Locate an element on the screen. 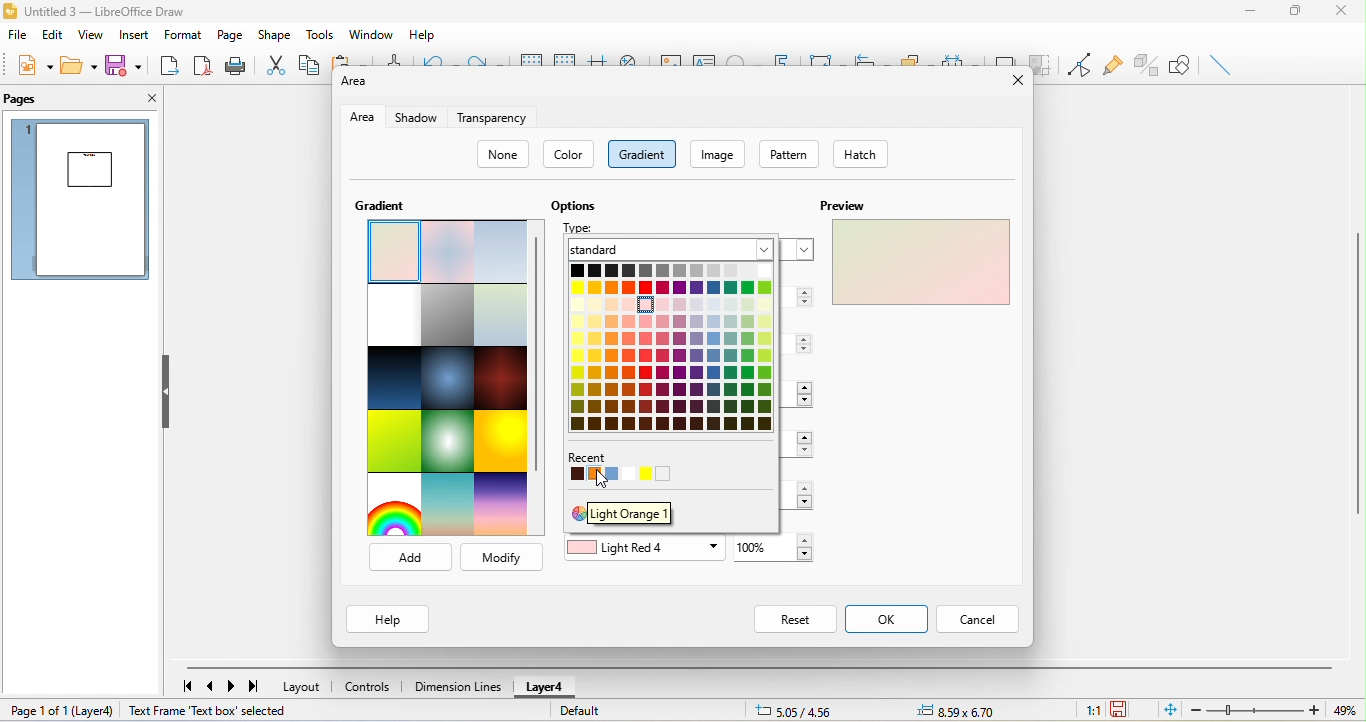 This screenshot has width=1366, height=722. layer 4 is located at coordinates (97, 711).